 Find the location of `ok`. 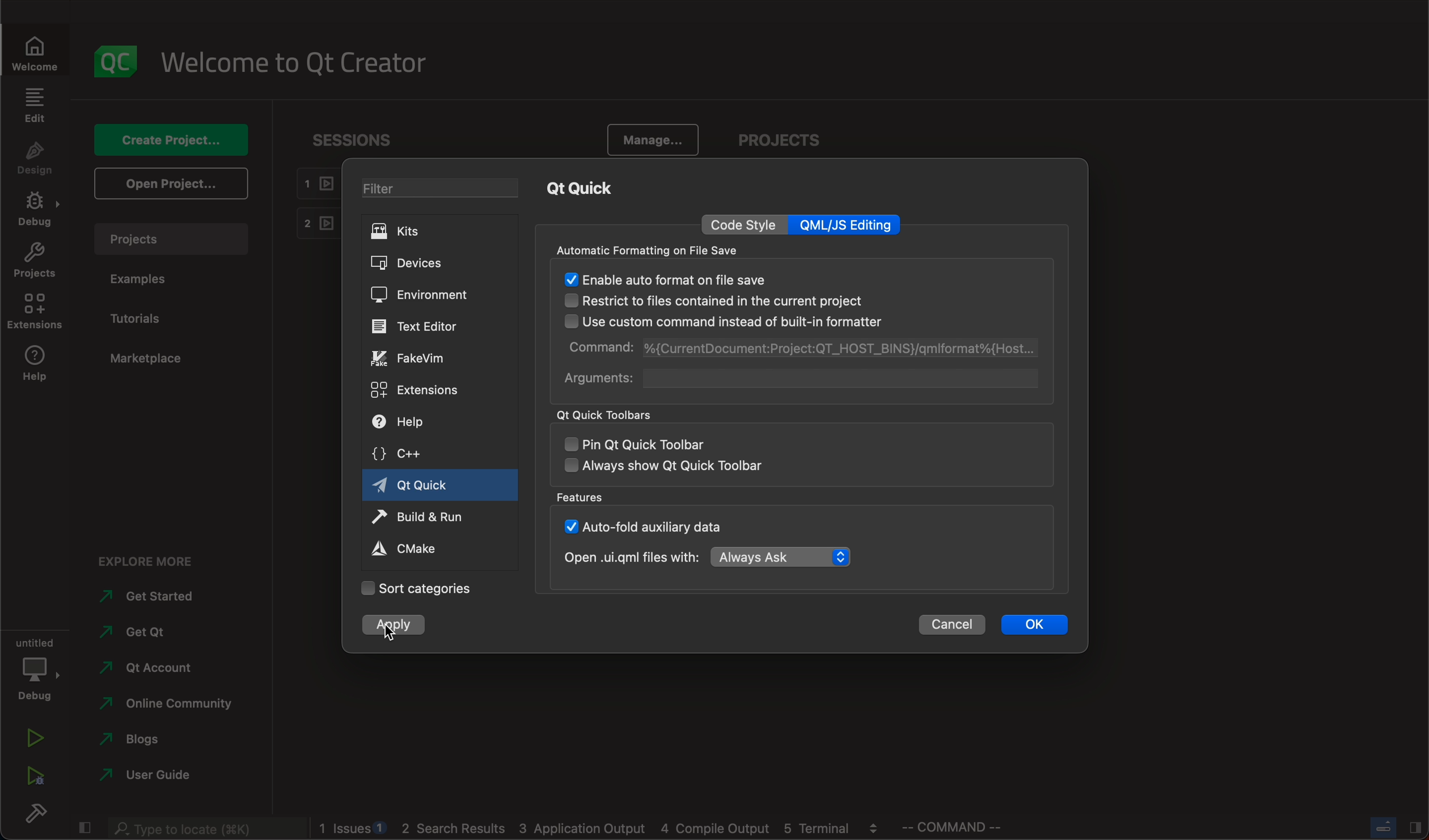

ok is located at coordinates (1038, 625).